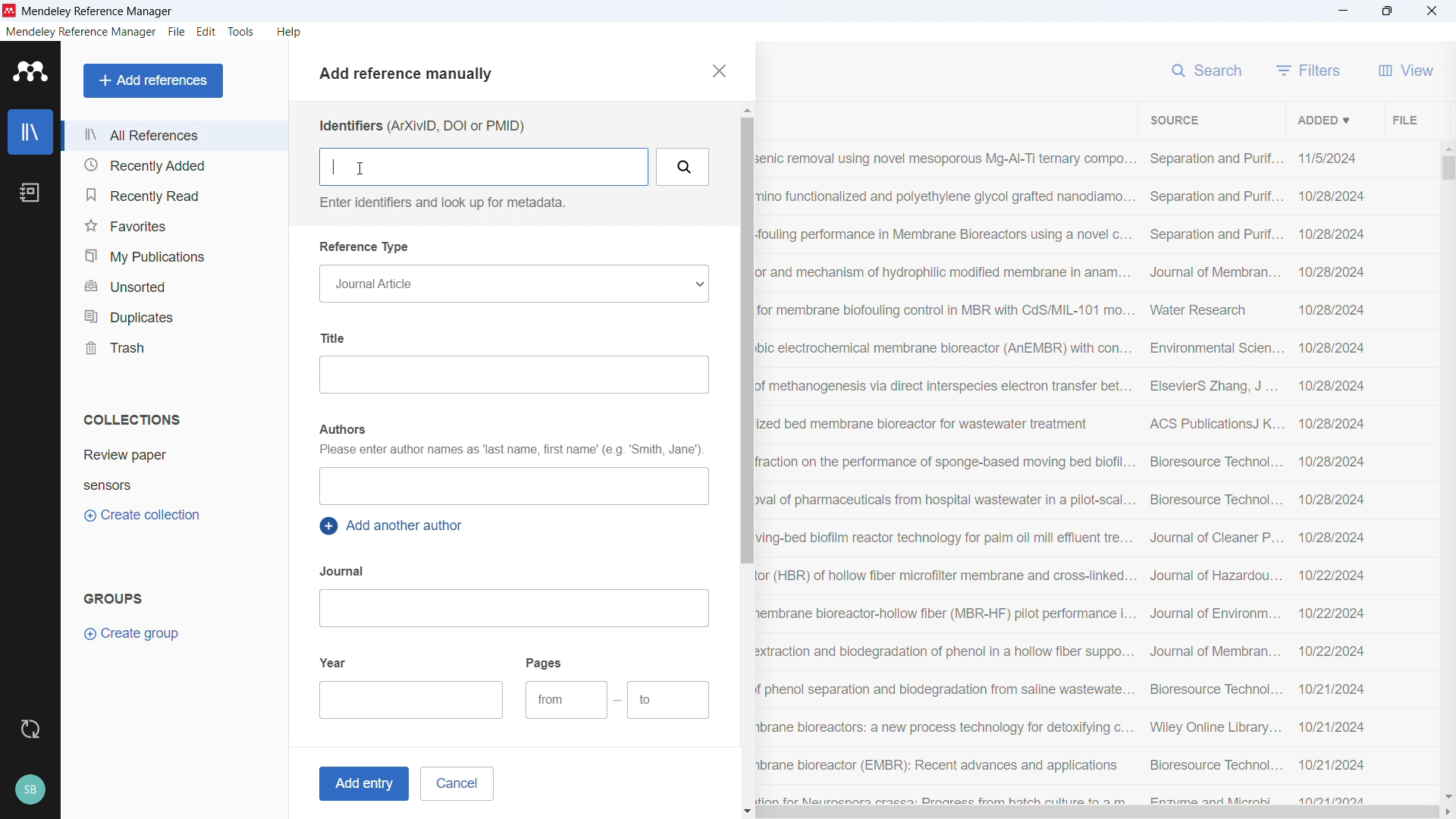  Describe the element at coordinates (684, 167) in the screenshot. I see `Search by Identifiers ` at that location.